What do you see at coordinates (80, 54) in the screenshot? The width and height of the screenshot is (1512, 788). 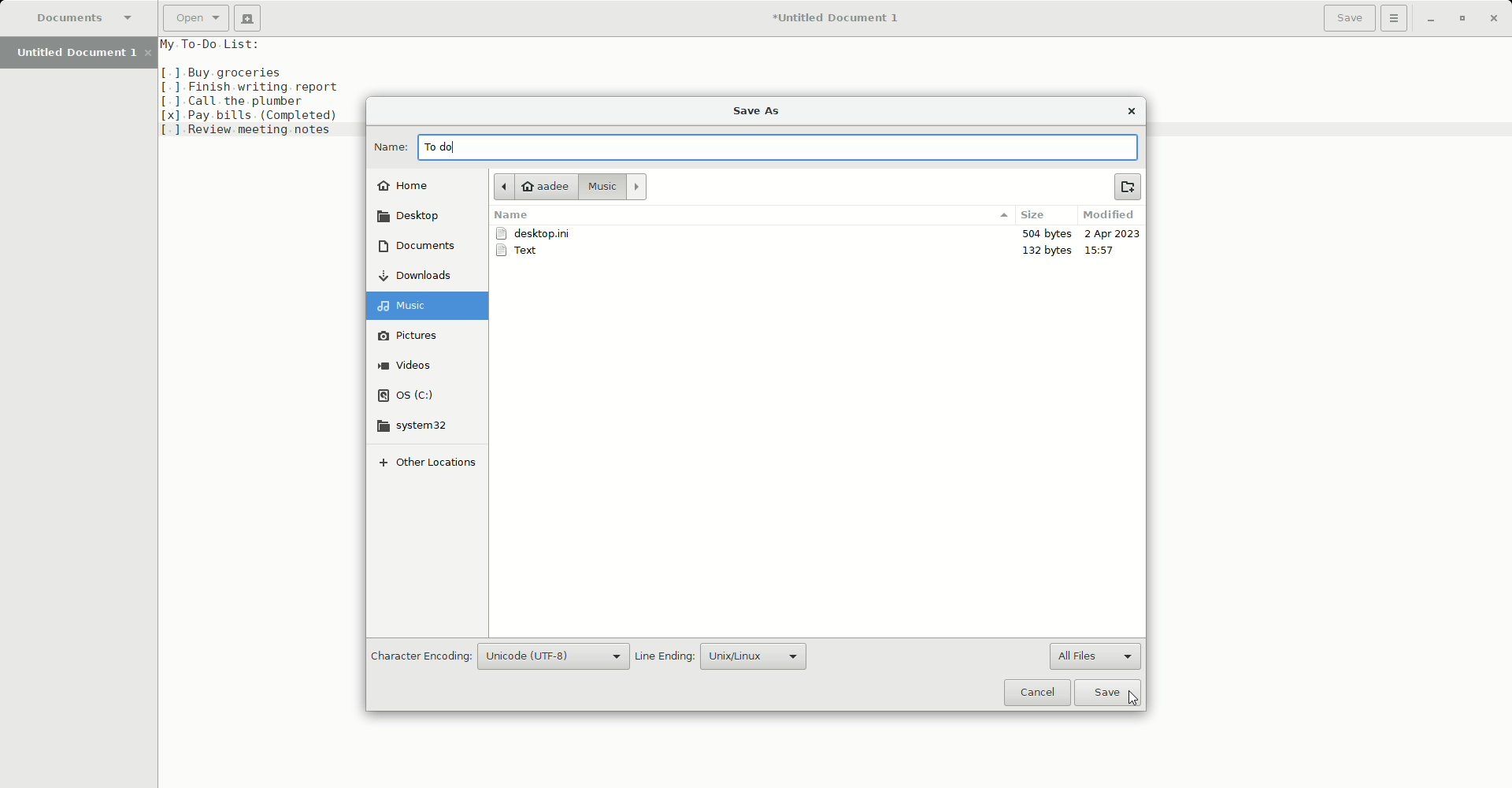 I see `Untitled Document 1` at bounding box center [80, 54].